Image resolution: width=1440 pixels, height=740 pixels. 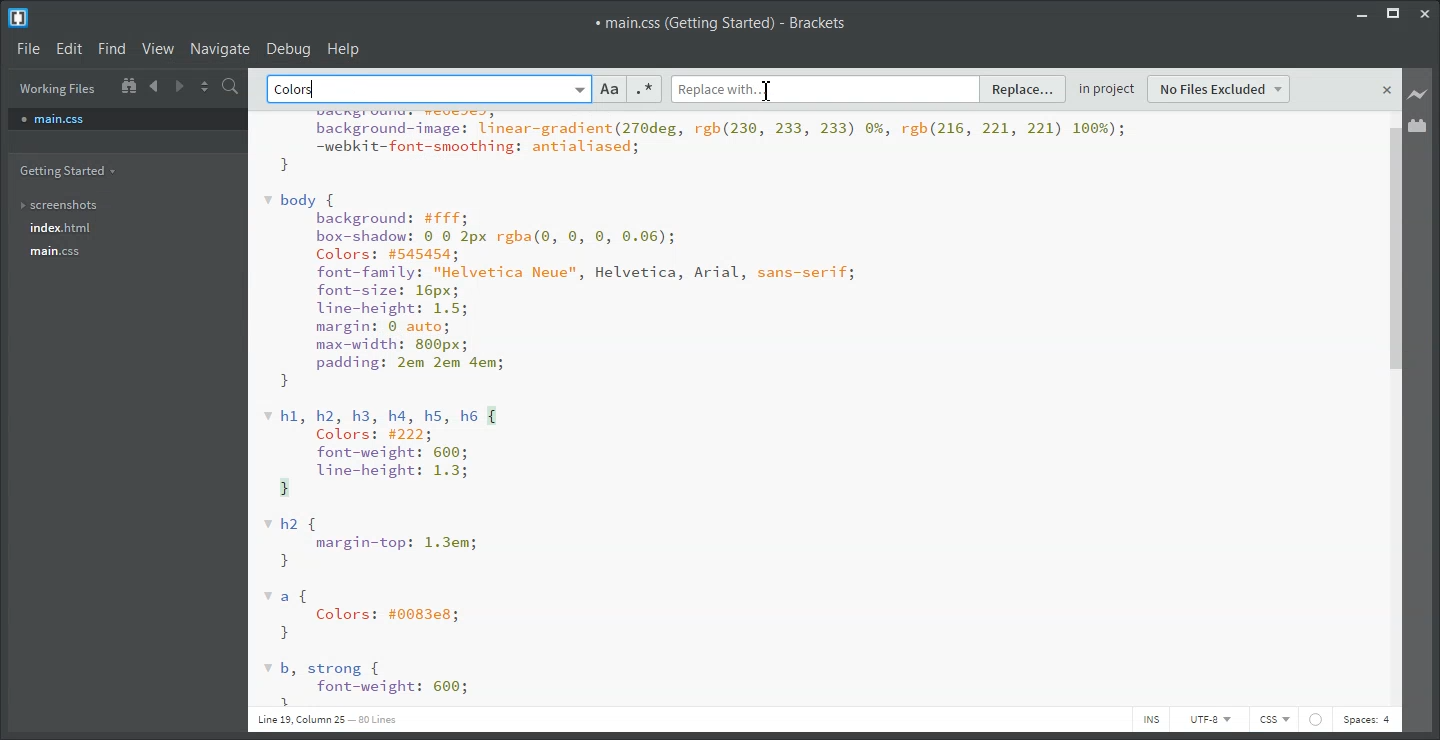 I want to click on hl, h2, h3, h4, hs, he {
Colors: #222;
font-weight: 600;
Uine-height: 1.3;

3}, so click(x=382, y=451).